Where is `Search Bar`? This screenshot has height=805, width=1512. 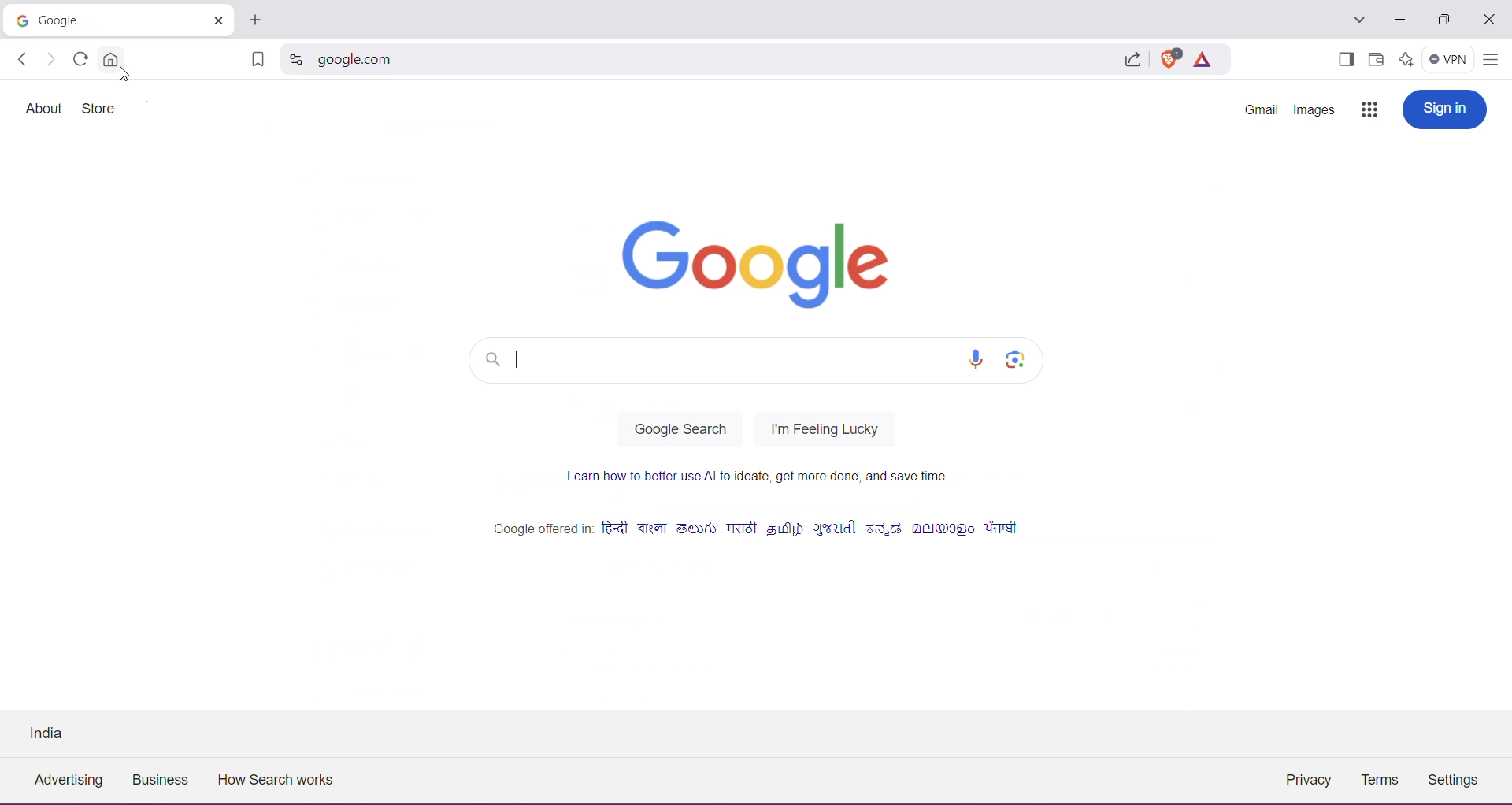 Search Bar is located at coordinates (717, 361).